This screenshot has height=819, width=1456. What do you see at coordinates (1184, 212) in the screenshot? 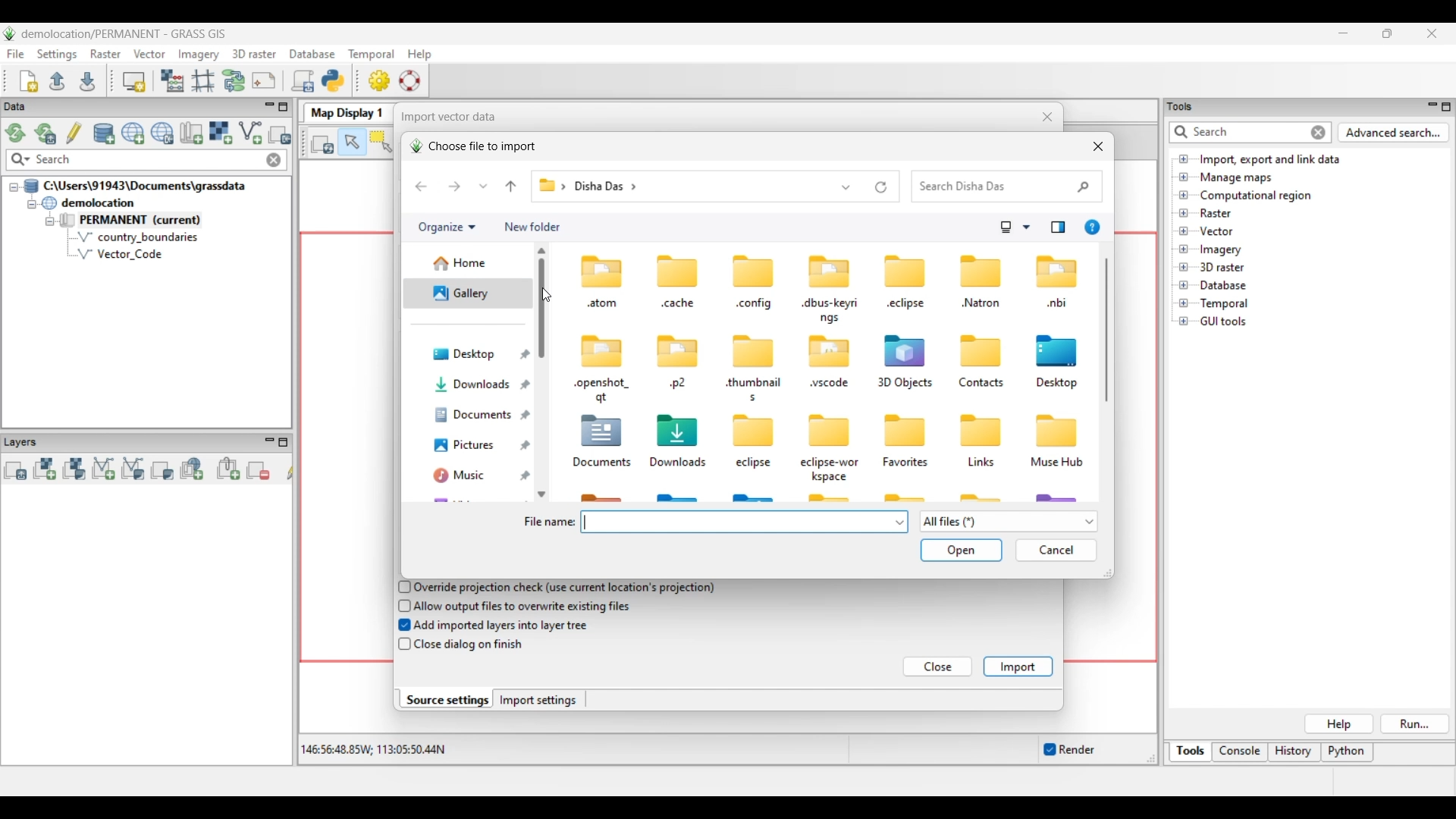
I see `Click to open files under Raster` at bounding box center [1184, 212].